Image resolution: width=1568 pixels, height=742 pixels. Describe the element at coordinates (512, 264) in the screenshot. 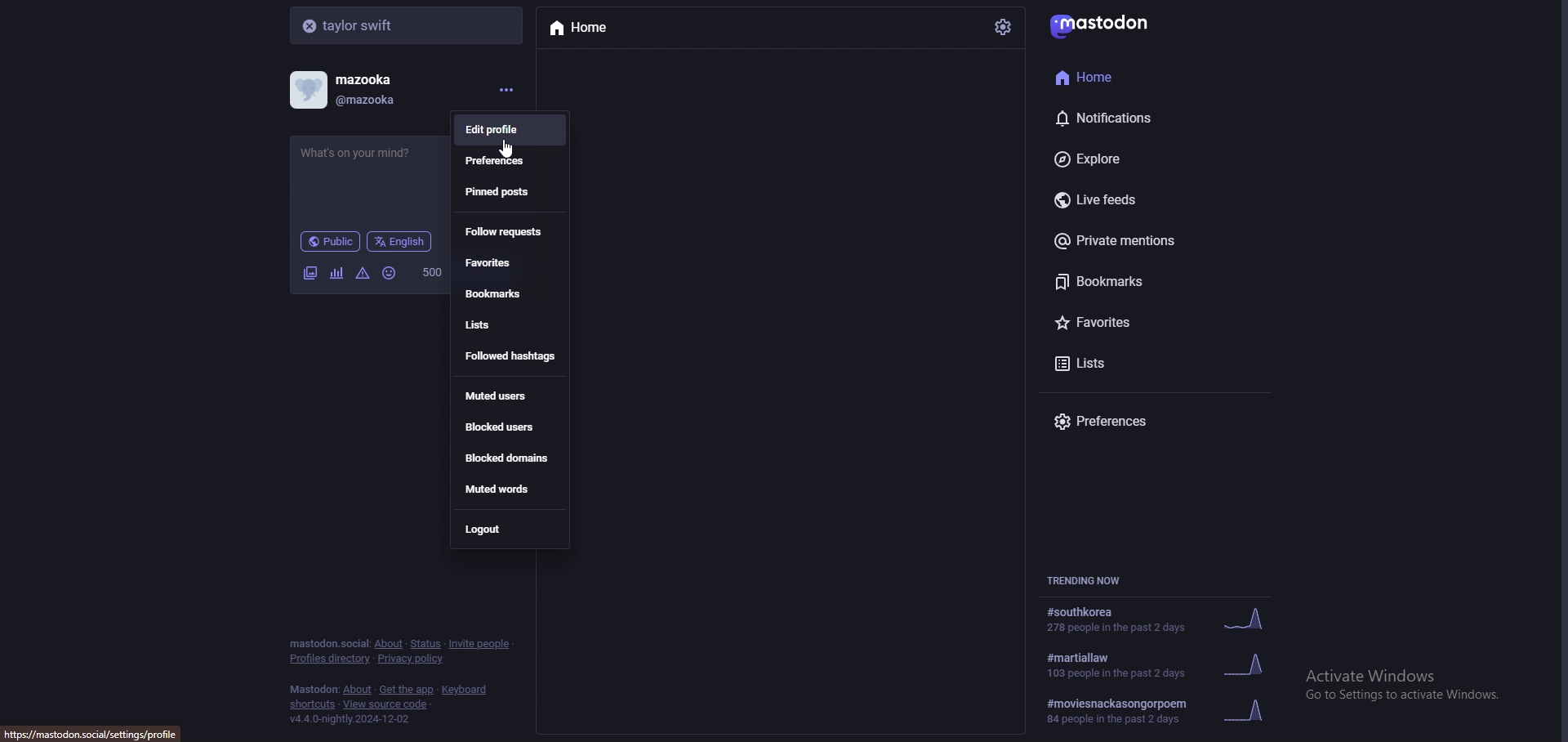

I see `favourites` at that location.